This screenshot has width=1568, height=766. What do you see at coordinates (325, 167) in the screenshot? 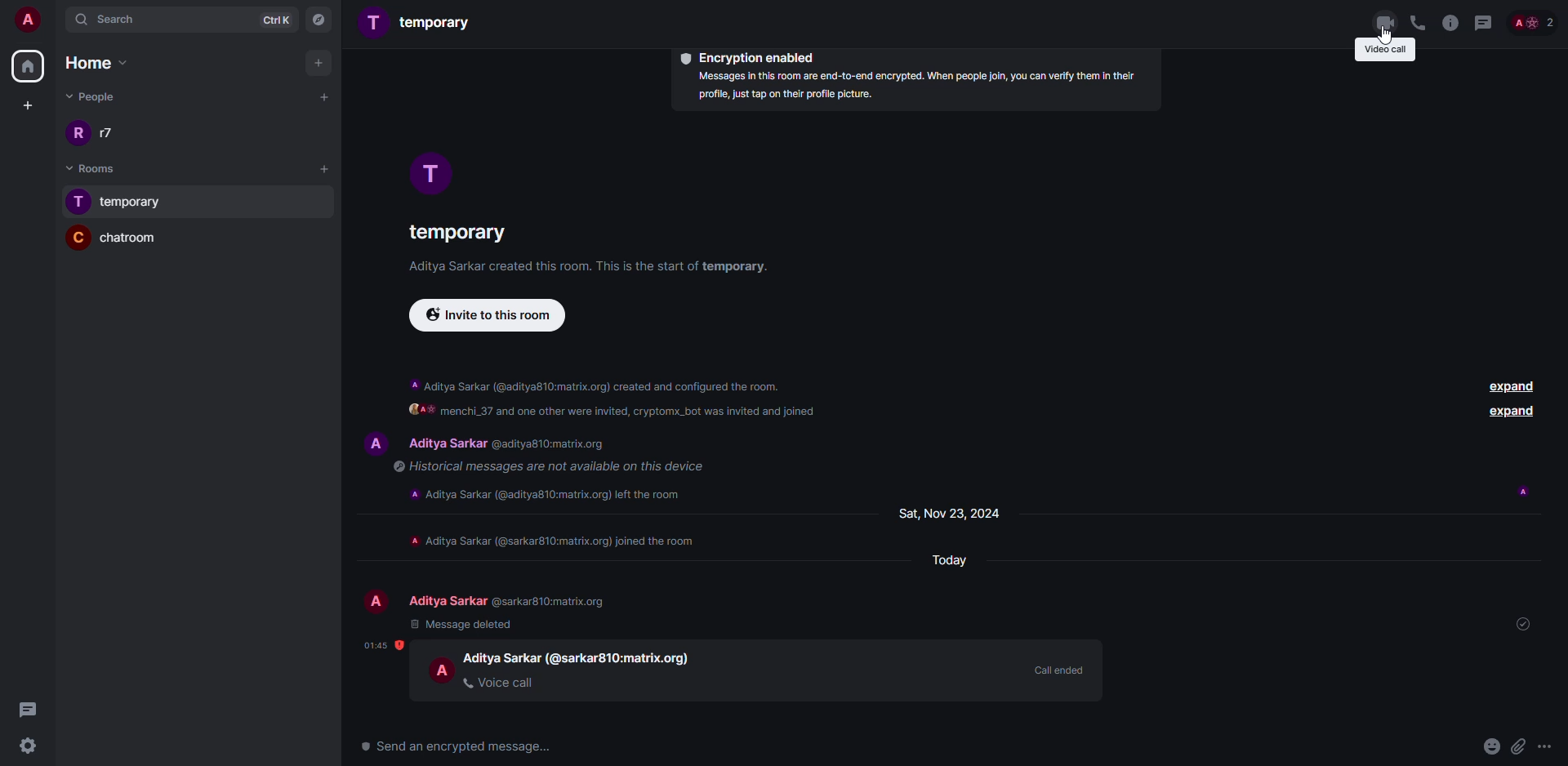
I see `add` at bounding box center [325, 167].